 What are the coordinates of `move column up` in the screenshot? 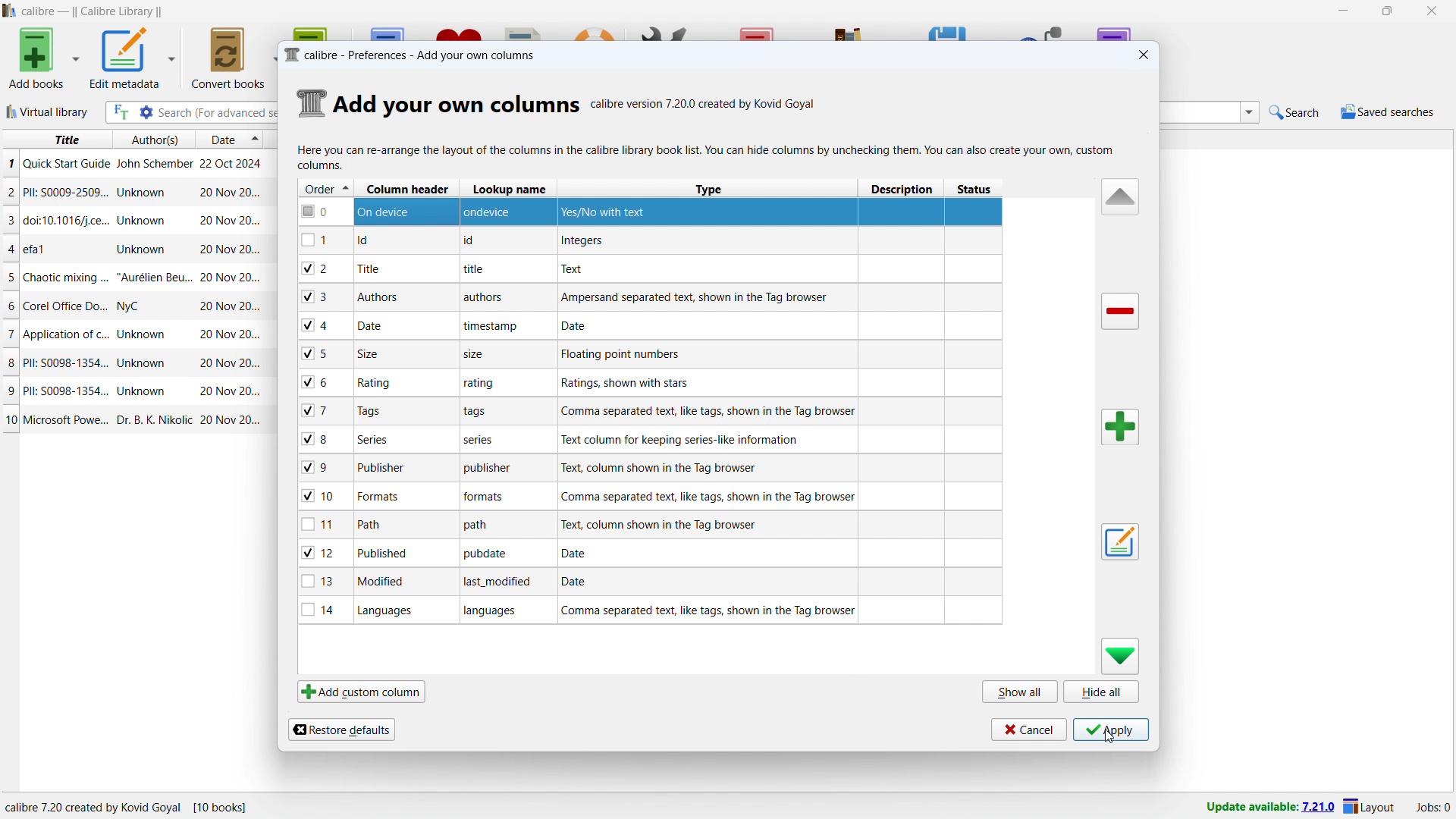 It's located at (1118, 196).